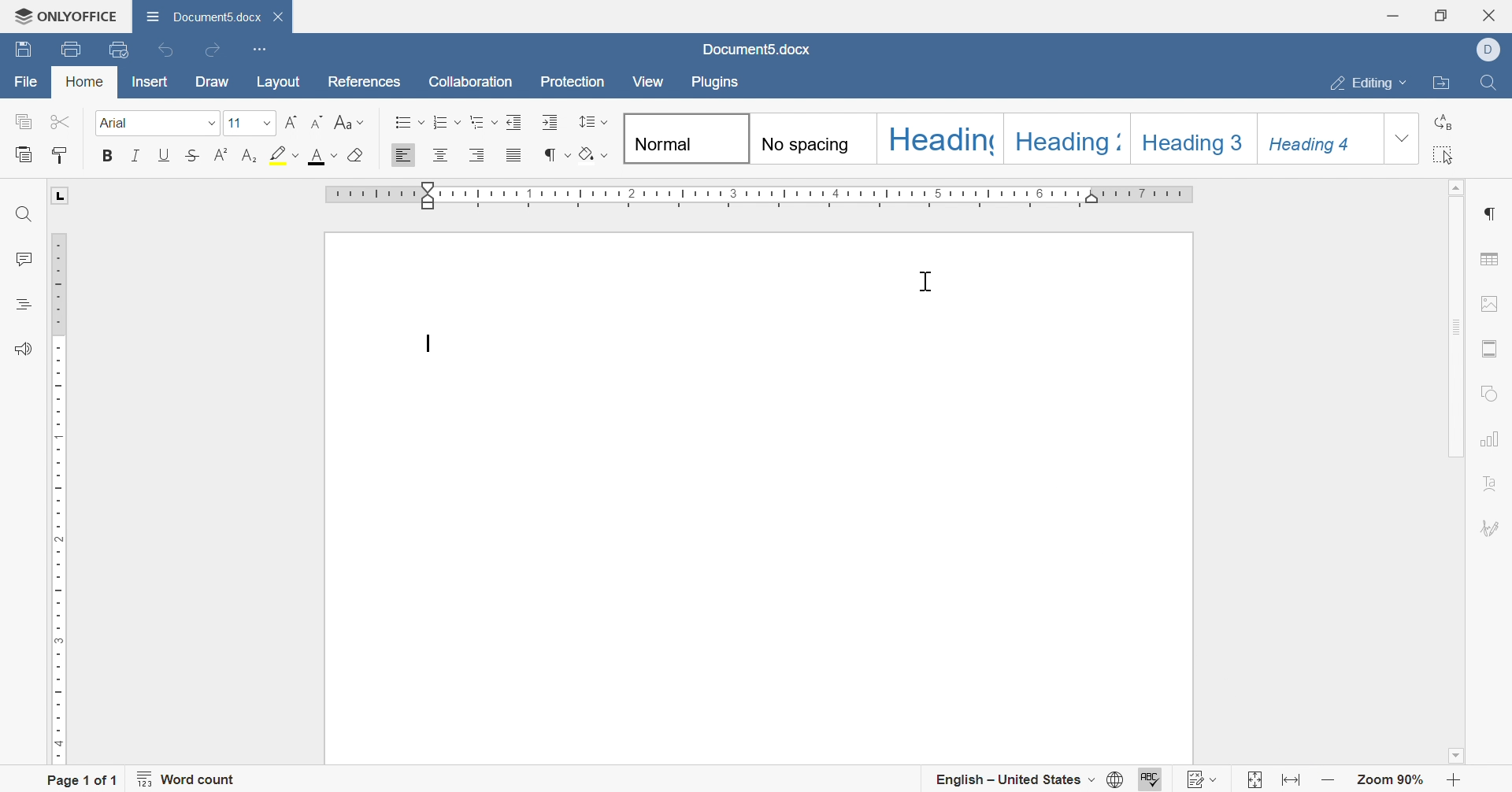 Image resolution: width=1512 pixels, height=792 pixels. What do you see at coordinates (19, 348) in the screenshot?
I see `feedback and support` at bounding box center [19, 348].